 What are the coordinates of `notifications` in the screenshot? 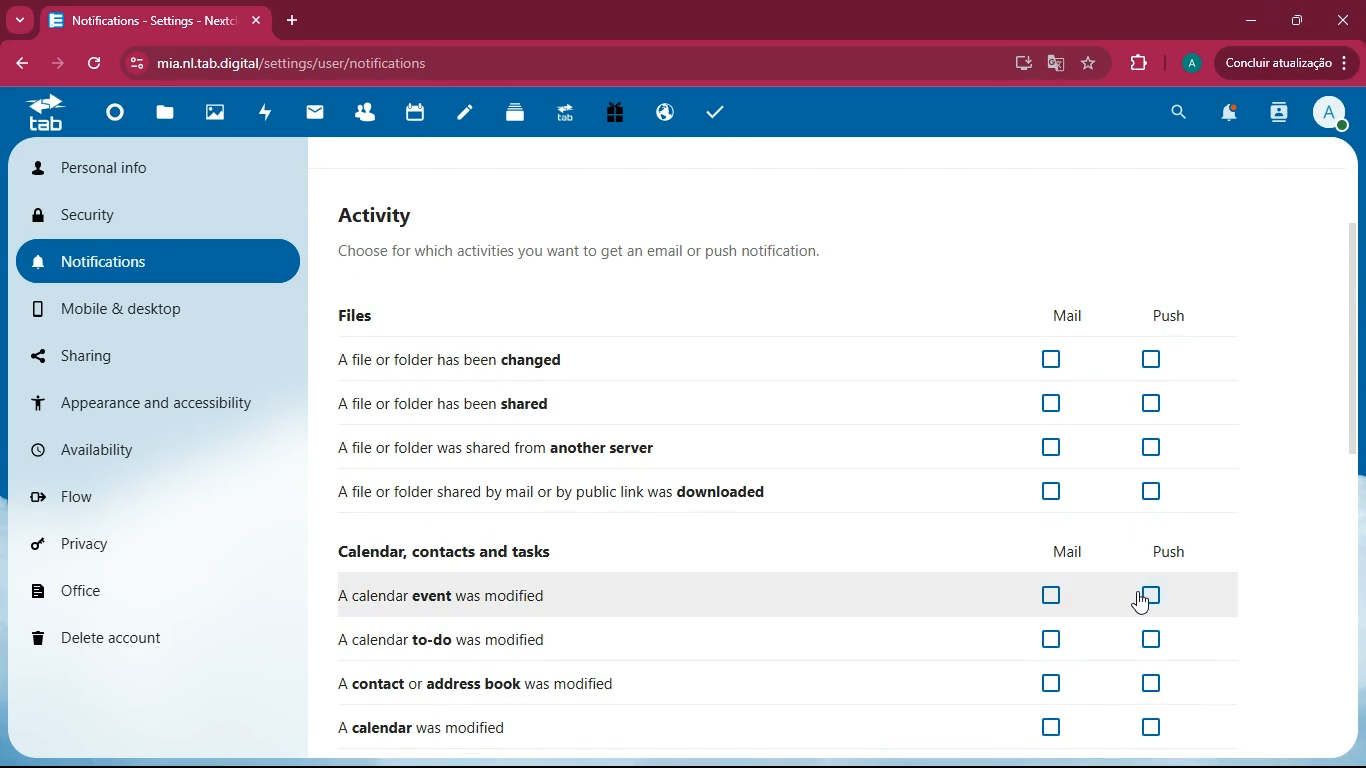 It's located at (1233, 115).